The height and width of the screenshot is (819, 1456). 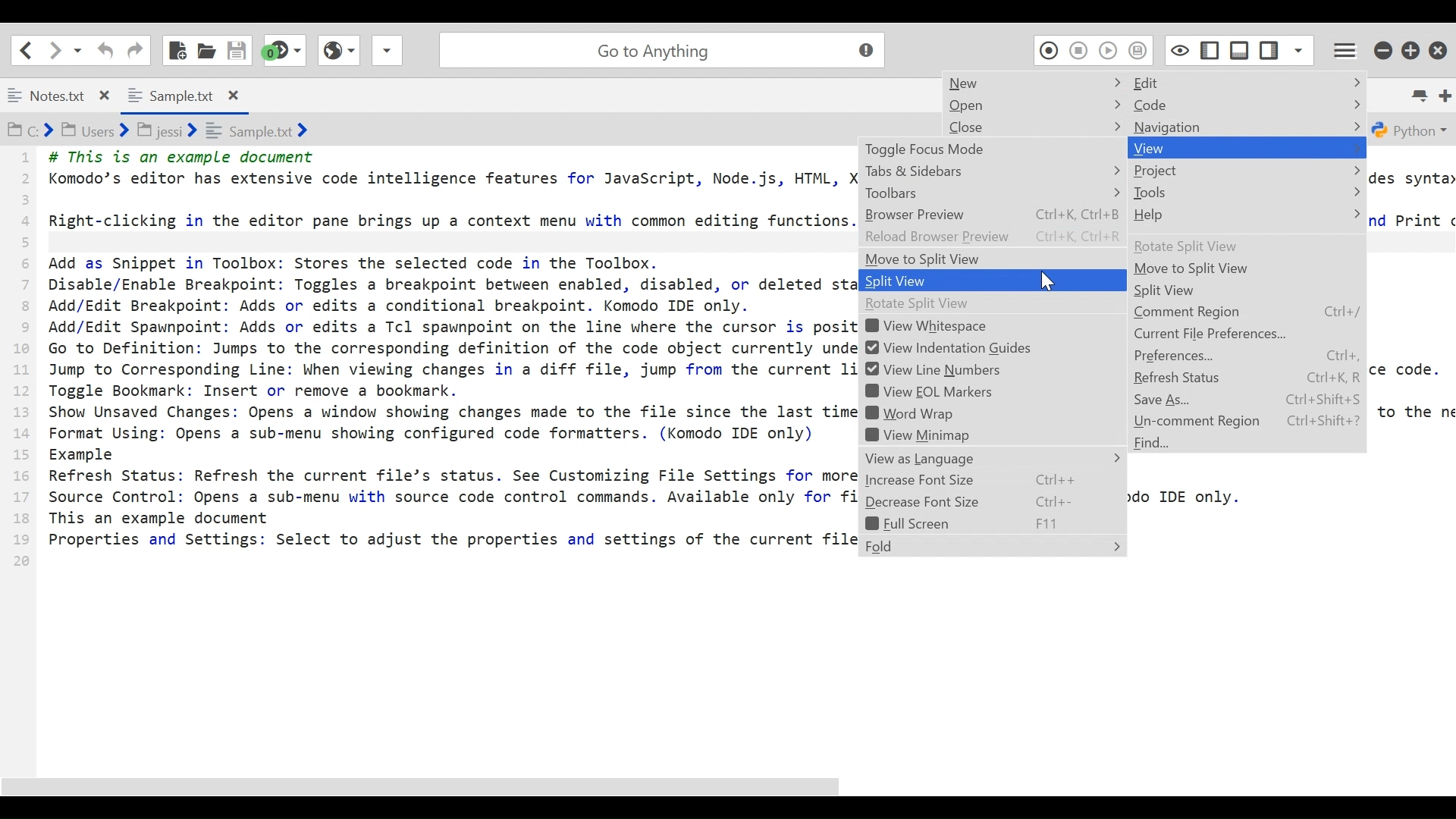 I want to click on Rotate Split View, so click(x=989, y=304).